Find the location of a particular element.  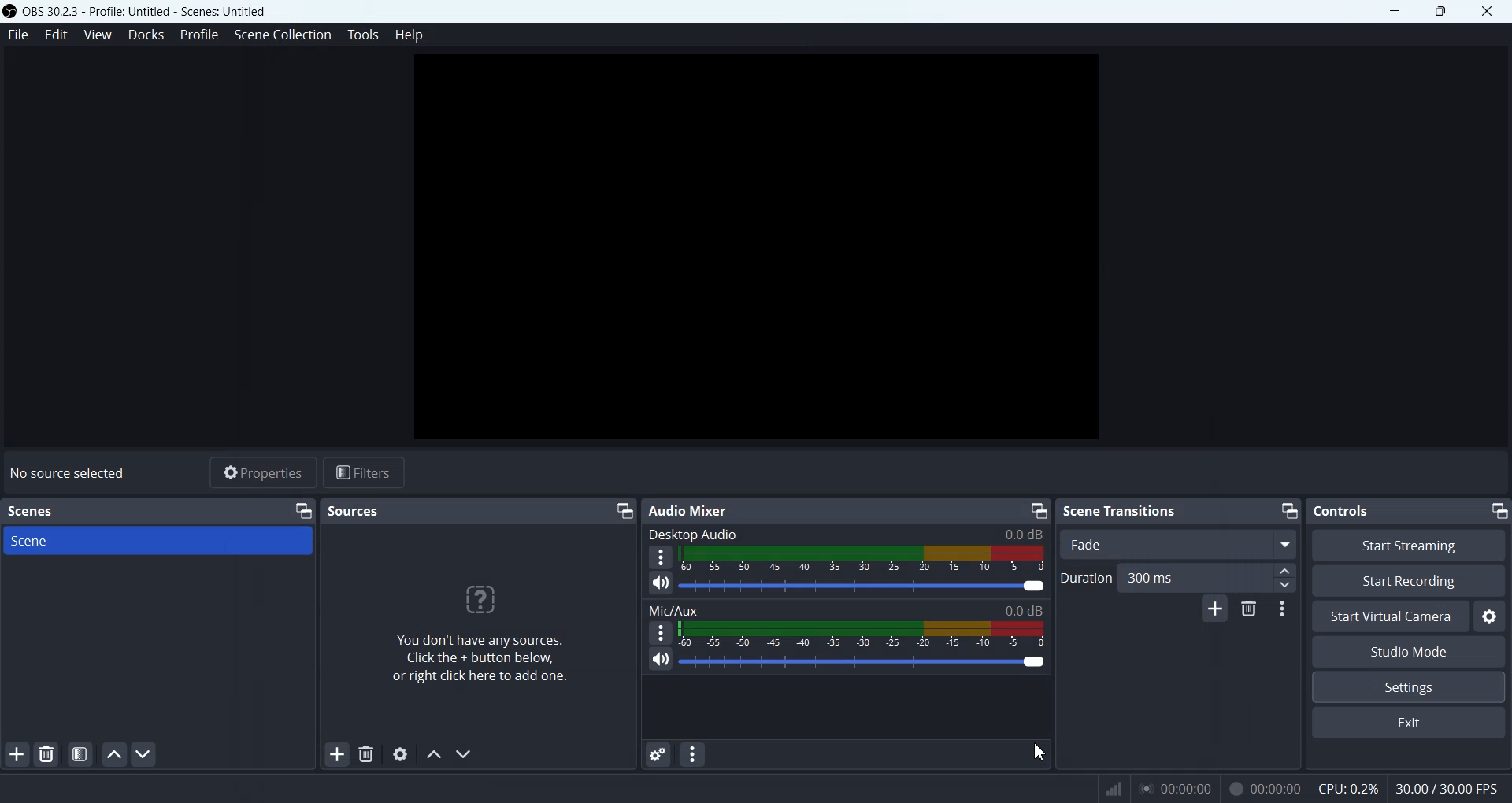

Open source Properties is located at coordinates (400, 755).